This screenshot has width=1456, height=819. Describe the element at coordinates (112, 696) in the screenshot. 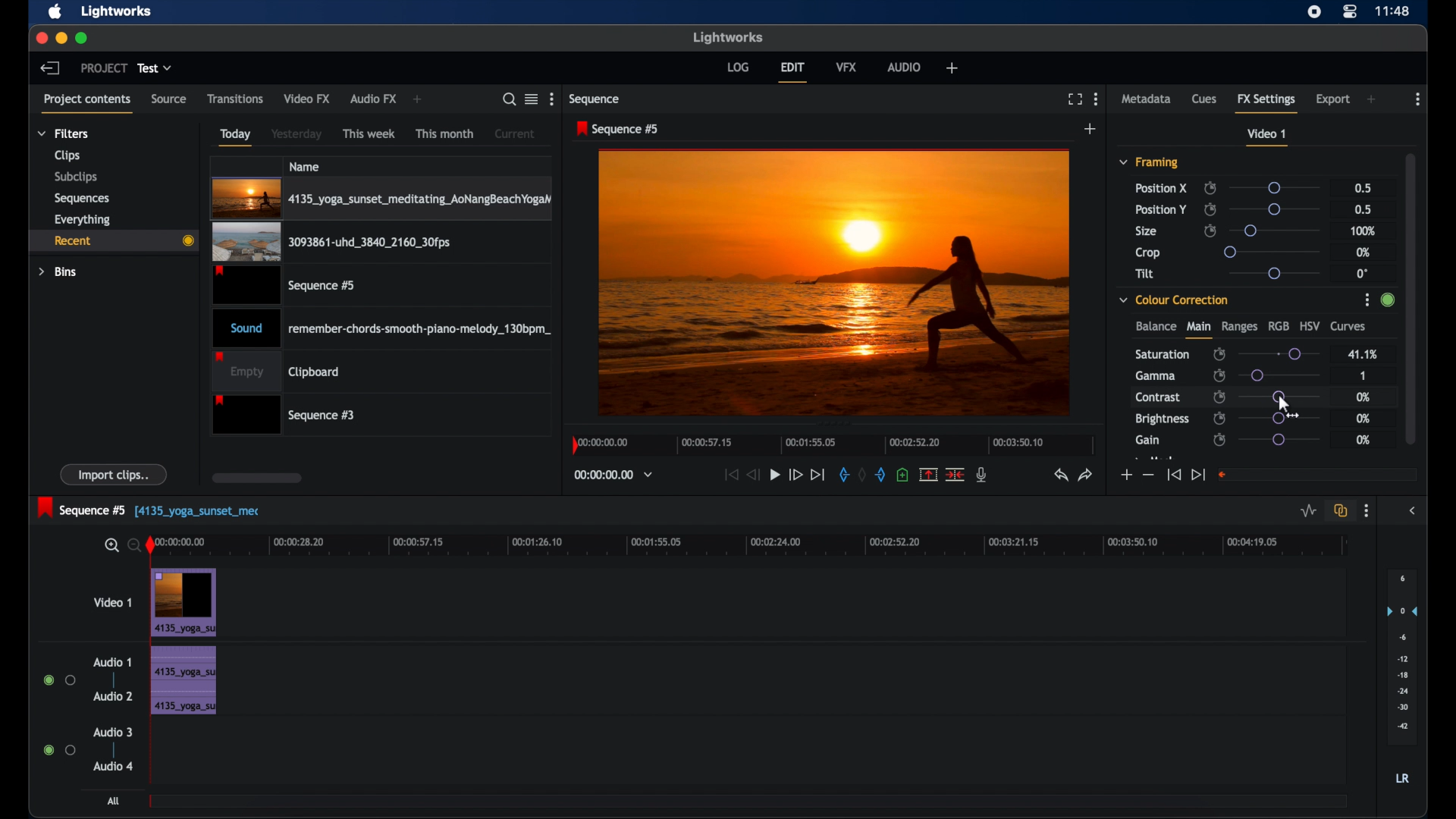

I see `audio 2` at that location.